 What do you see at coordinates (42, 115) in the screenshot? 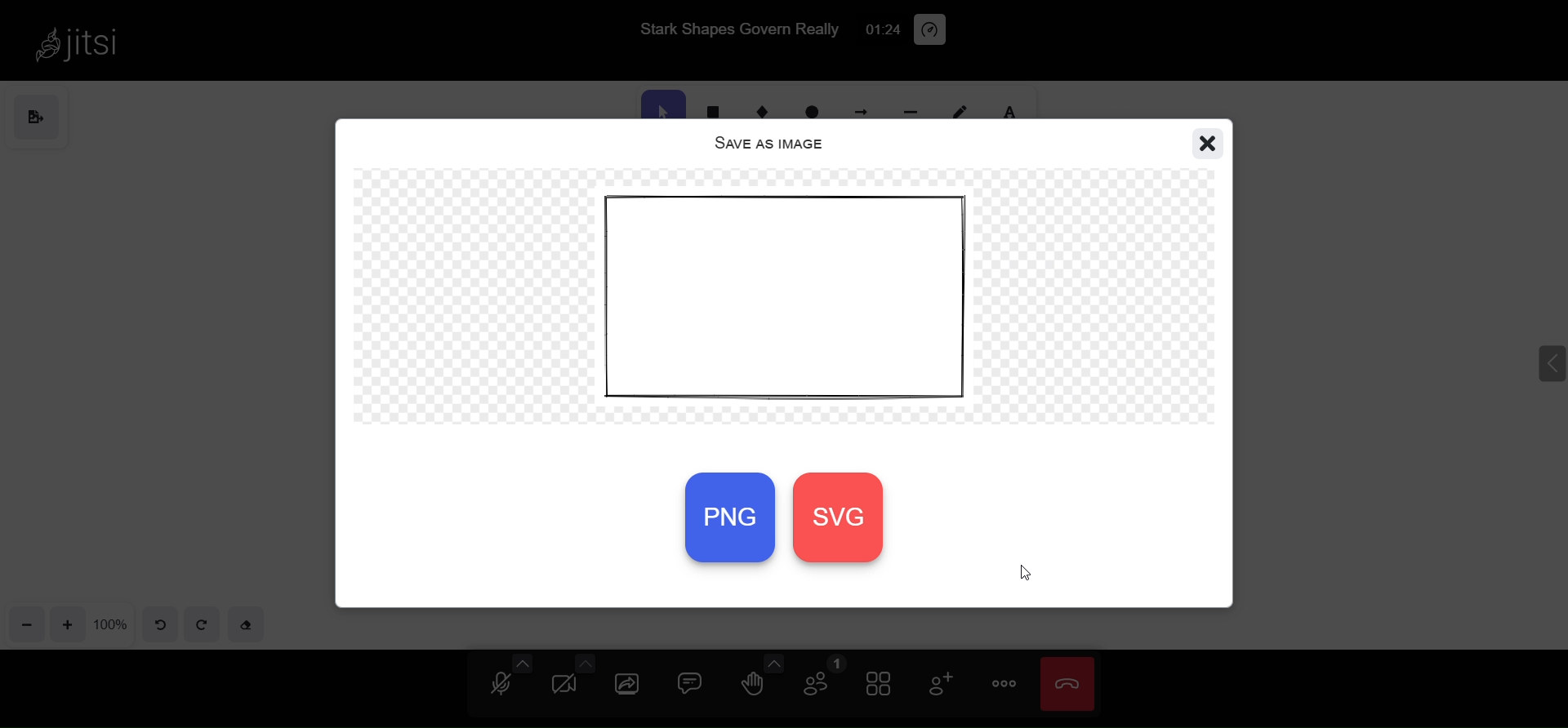
I see `save as image` at bounding box center [42, 115].